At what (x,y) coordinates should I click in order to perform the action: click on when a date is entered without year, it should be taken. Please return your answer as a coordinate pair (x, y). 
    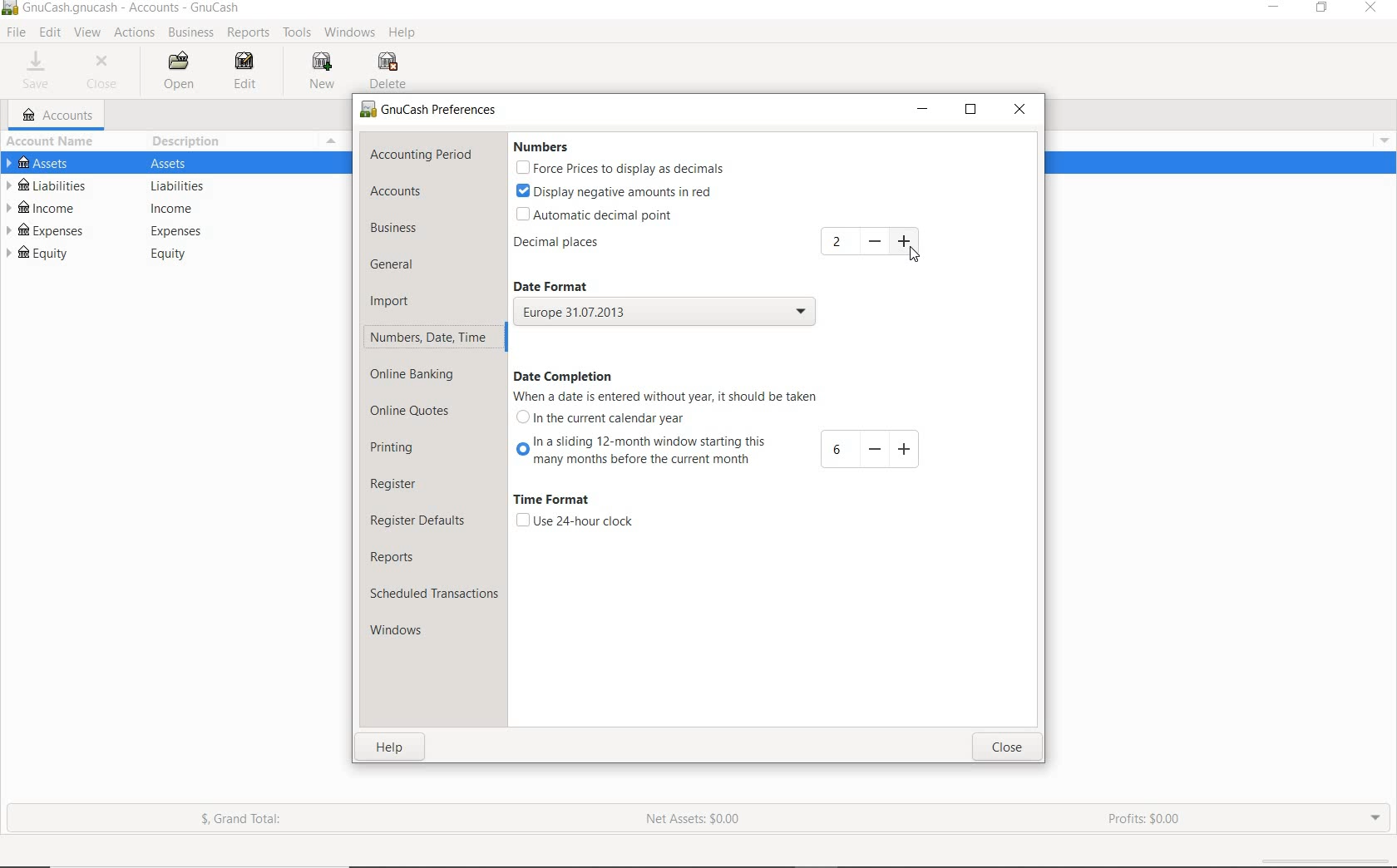
    Looking at the image, I should click on (664, 397).